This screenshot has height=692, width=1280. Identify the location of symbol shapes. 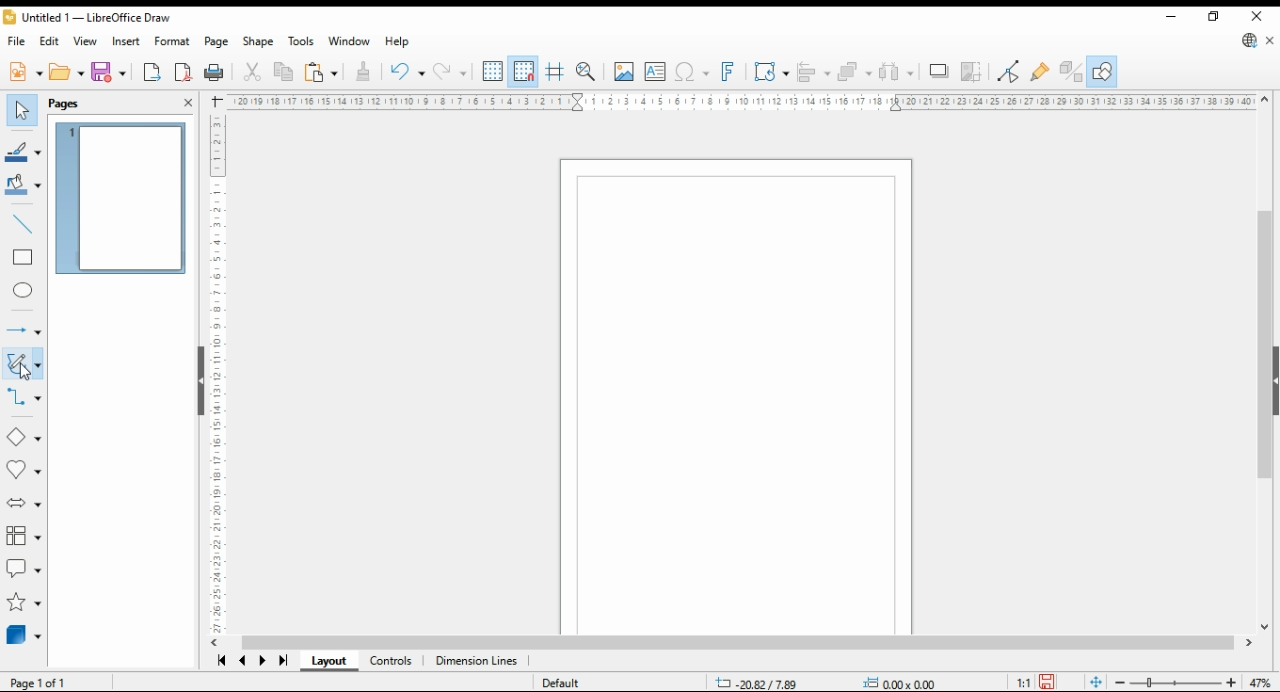
(23, 471).